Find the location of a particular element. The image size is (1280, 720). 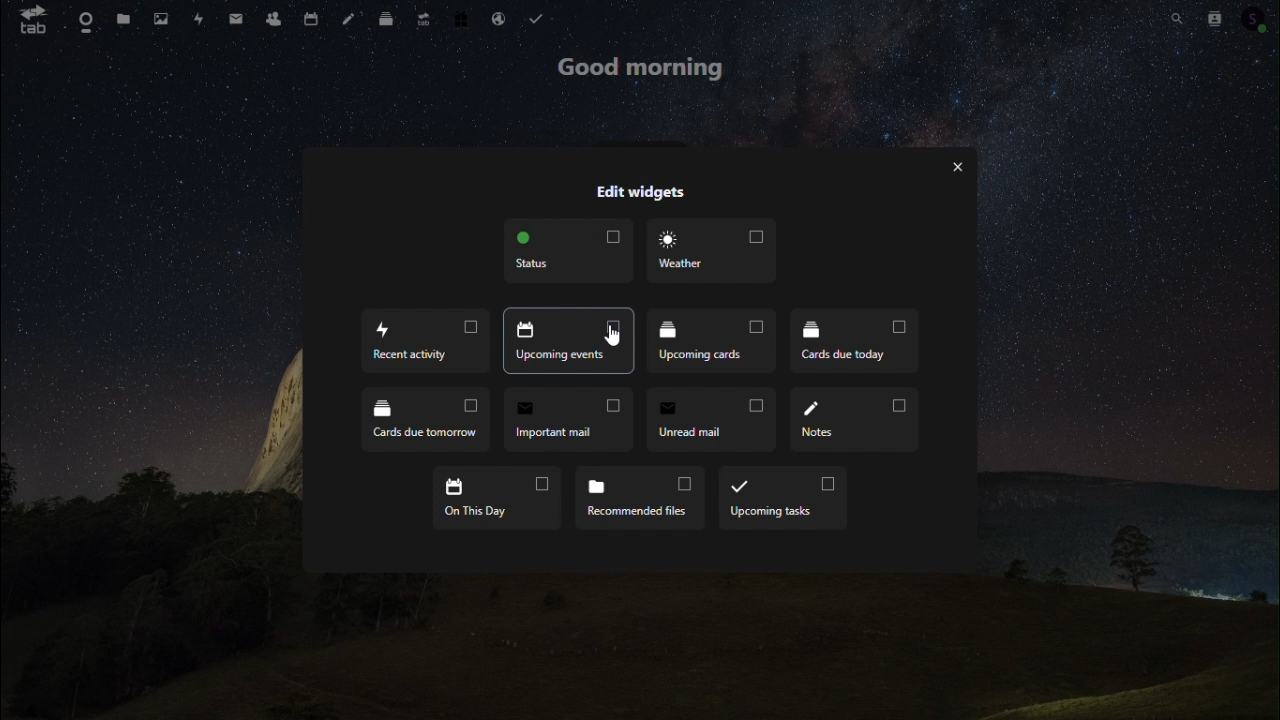

Cards due today is located at coordinates (854, 341).